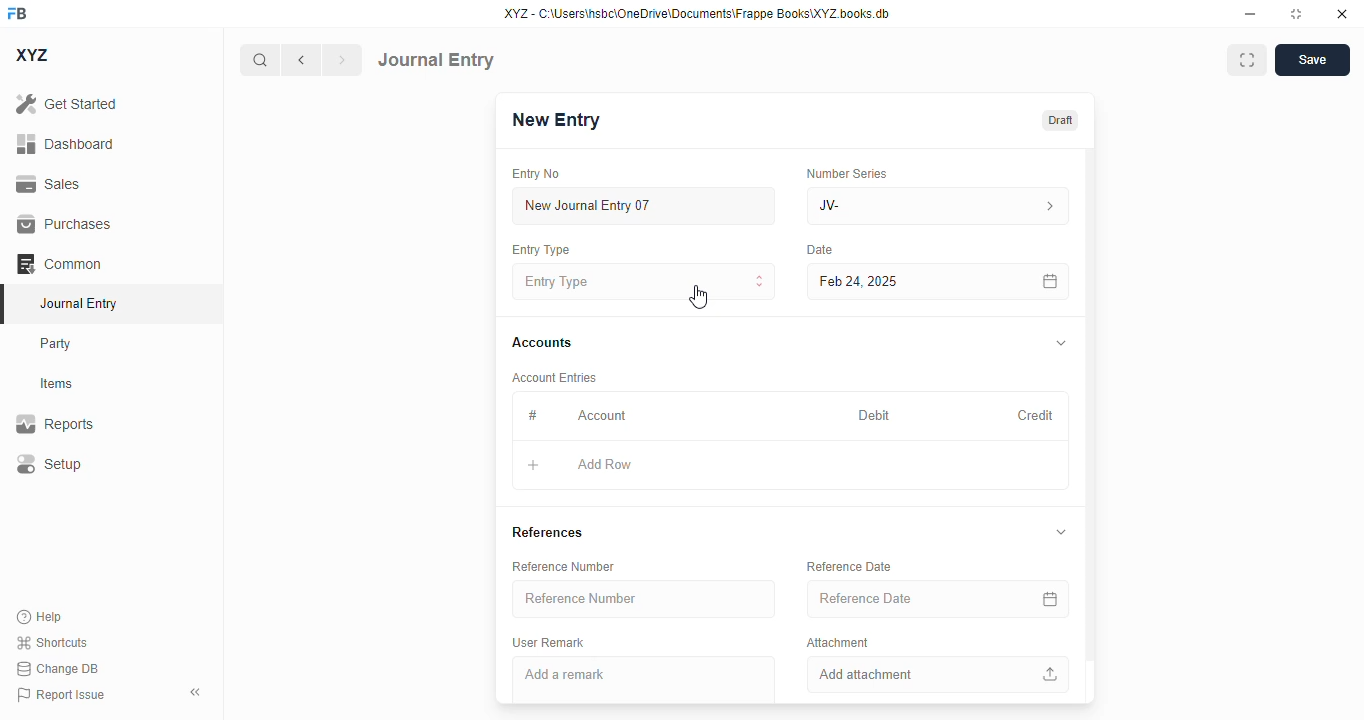 This screenshot has height=720, width=1364. Describe the element at coordinates (1090, 426) in the screenshot. I see `vertical scroll bar` at that location.